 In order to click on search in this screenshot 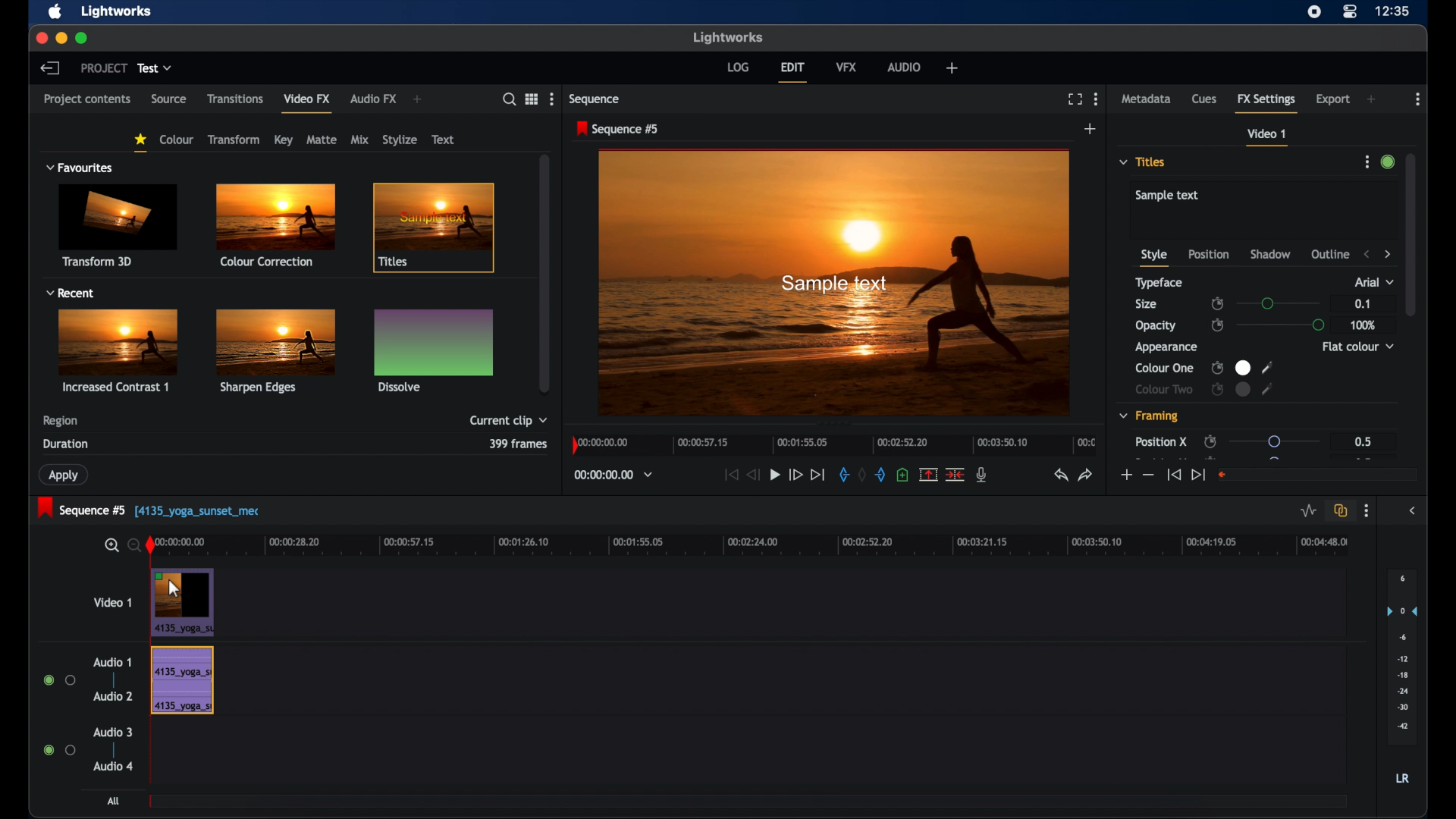, I will do `click(508, 99)`.